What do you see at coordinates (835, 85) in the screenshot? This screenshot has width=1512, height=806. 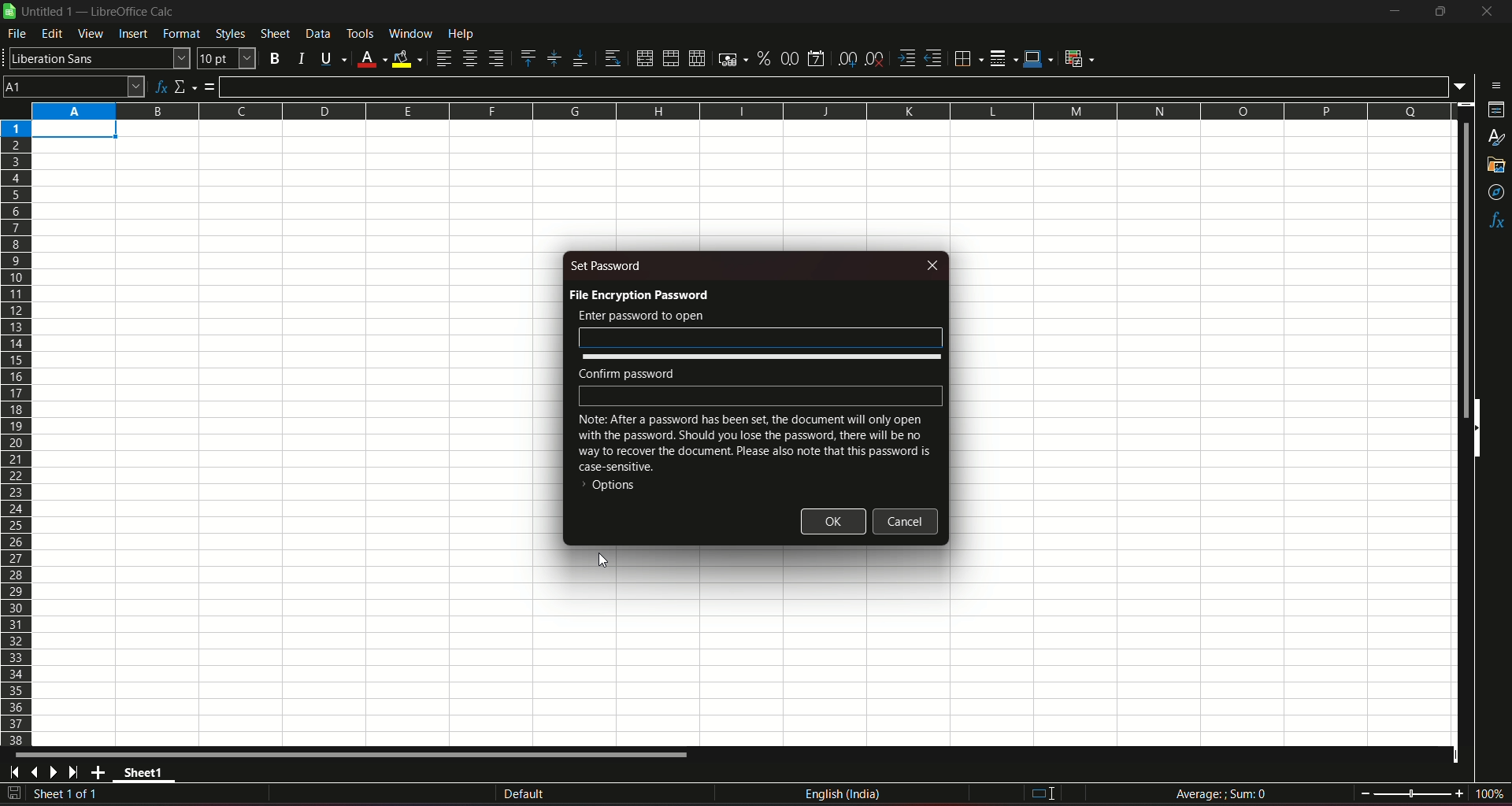 I see `input line` at bounding box center [835, 85].